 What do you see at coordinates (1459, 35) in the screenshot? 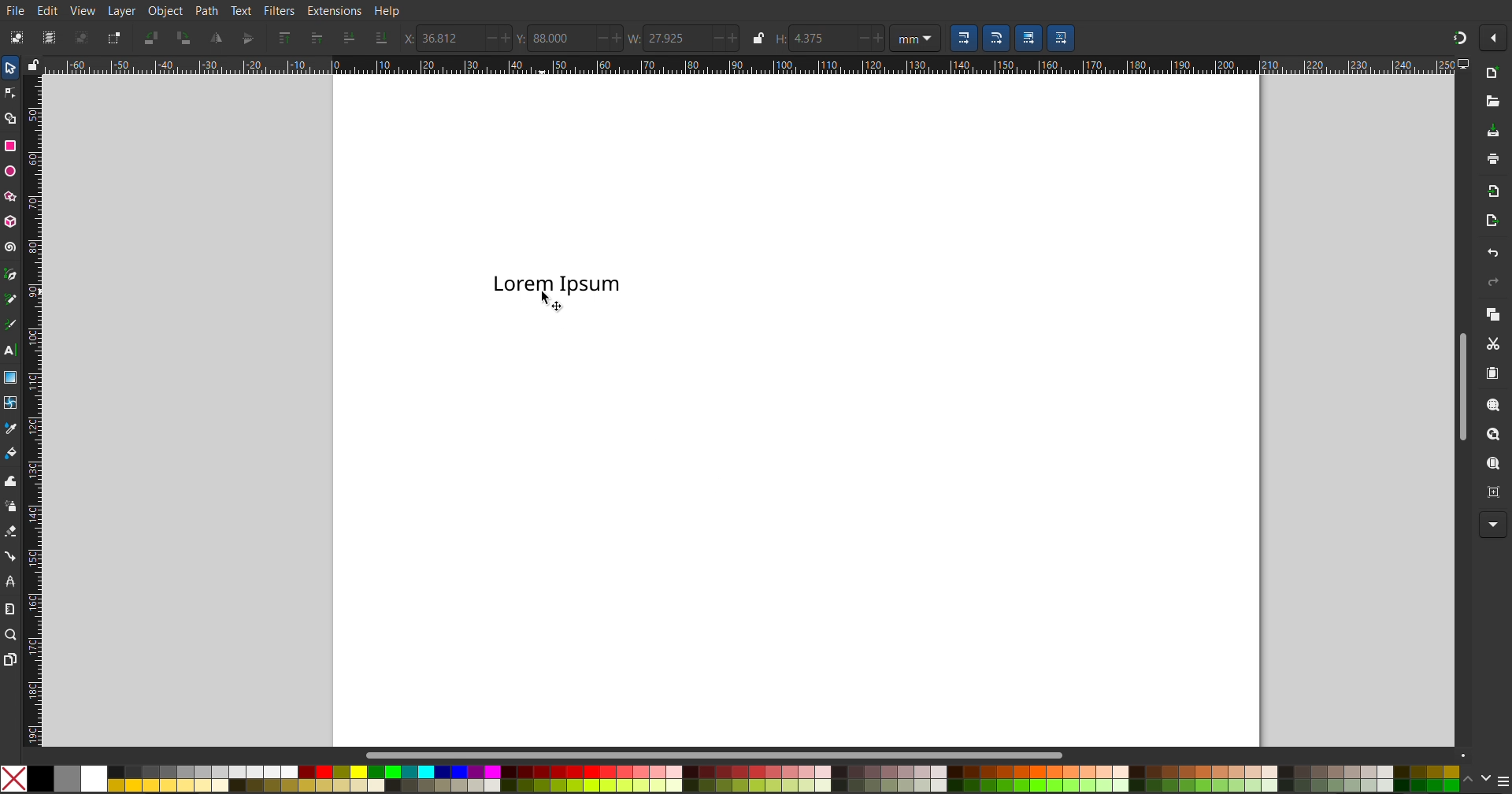
I see `Snapping` at bounding box center [1459, 35].